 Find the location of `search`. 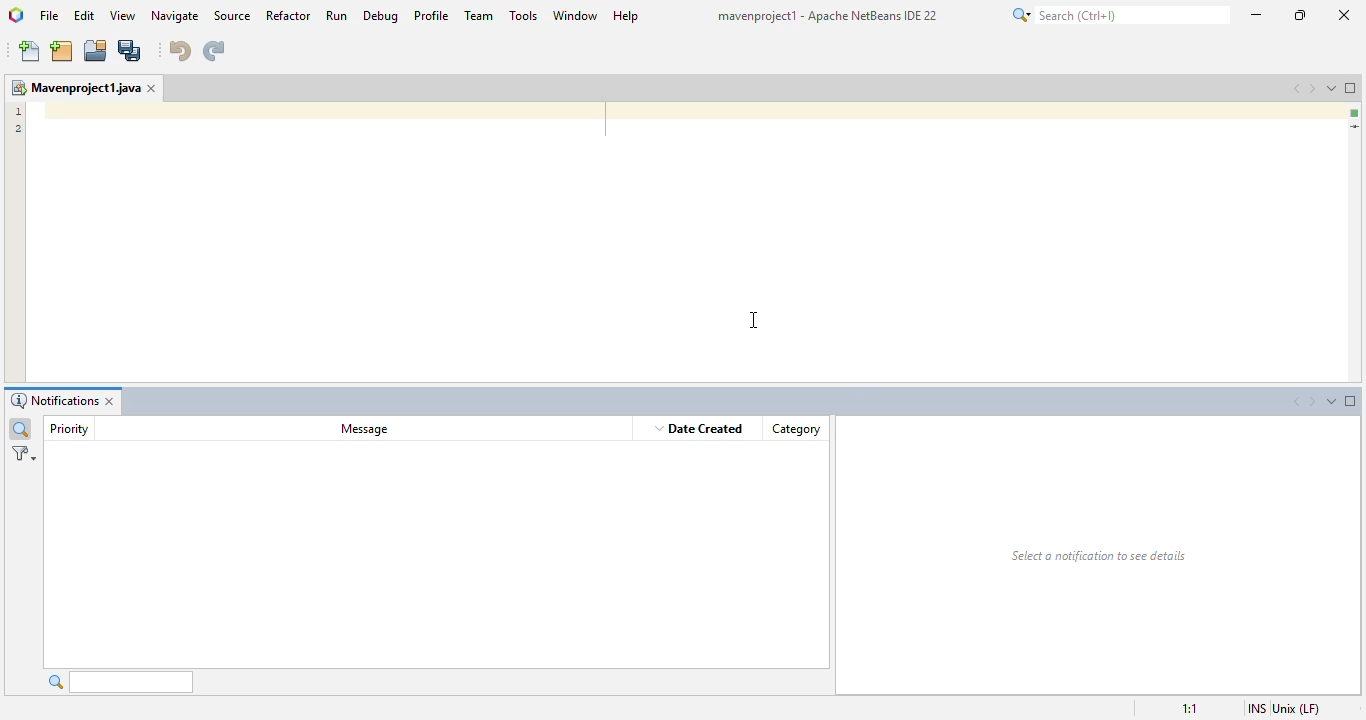

search is located at coordinates (1120, 14).